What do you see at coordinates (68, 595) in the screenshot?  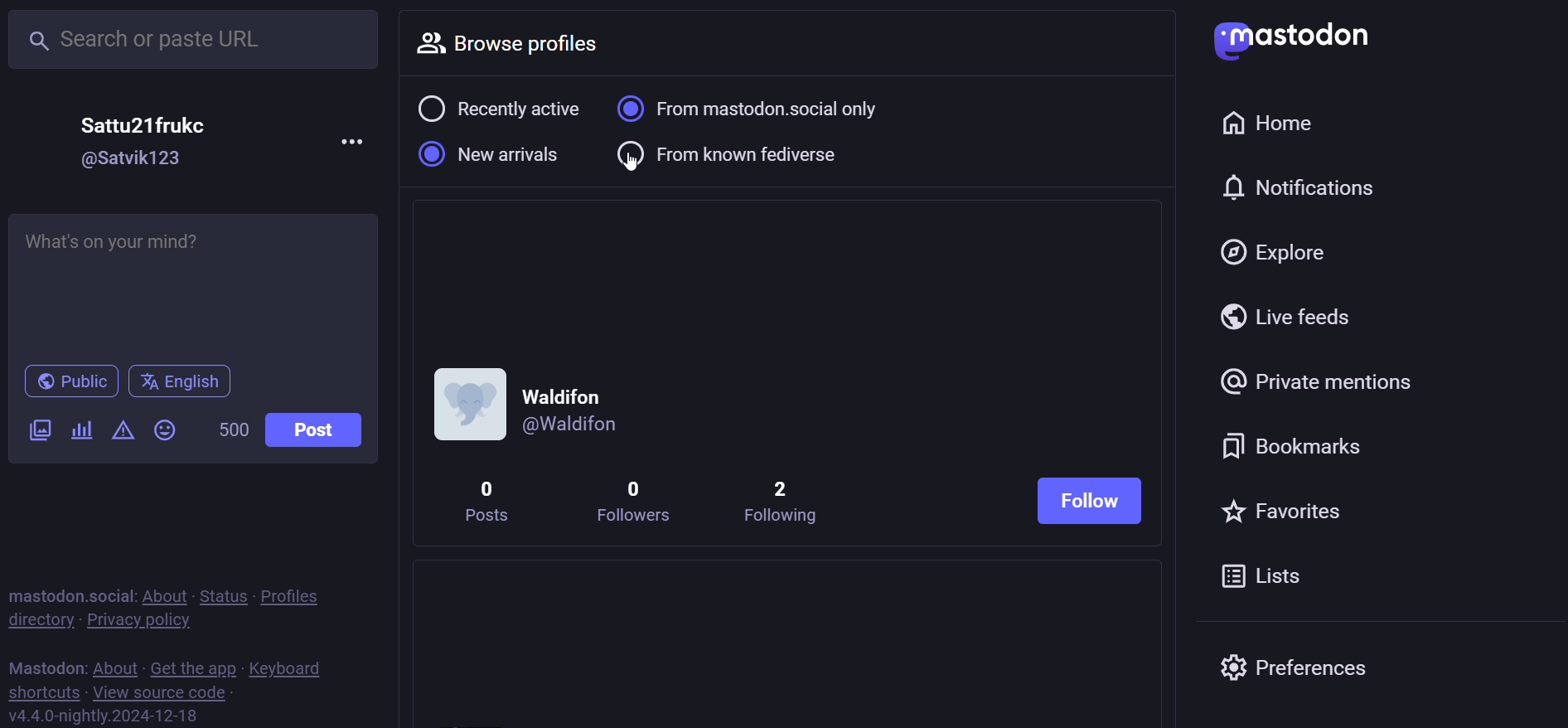 I see `mastodon social` at bounding box center [68, 595].